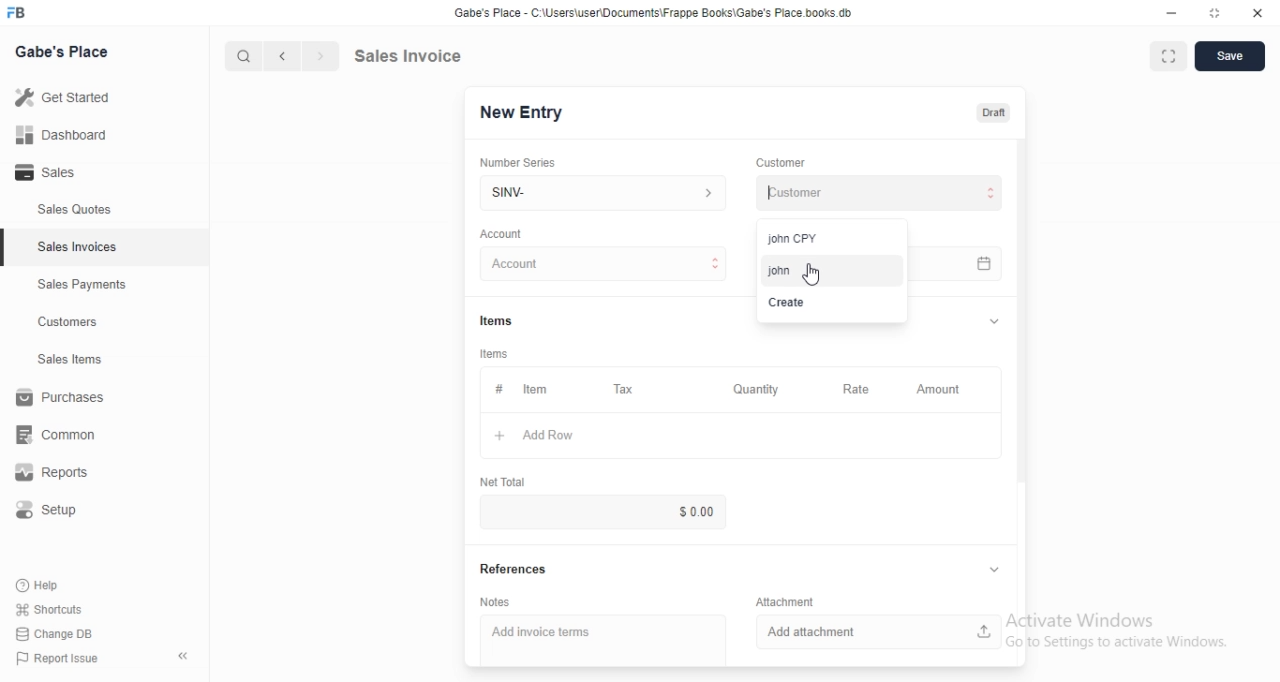  I want to click on Gabe's Place - C \Wsers\usenDocuments\Frappe Books\Gabe's Place books db, so click(658, 16).